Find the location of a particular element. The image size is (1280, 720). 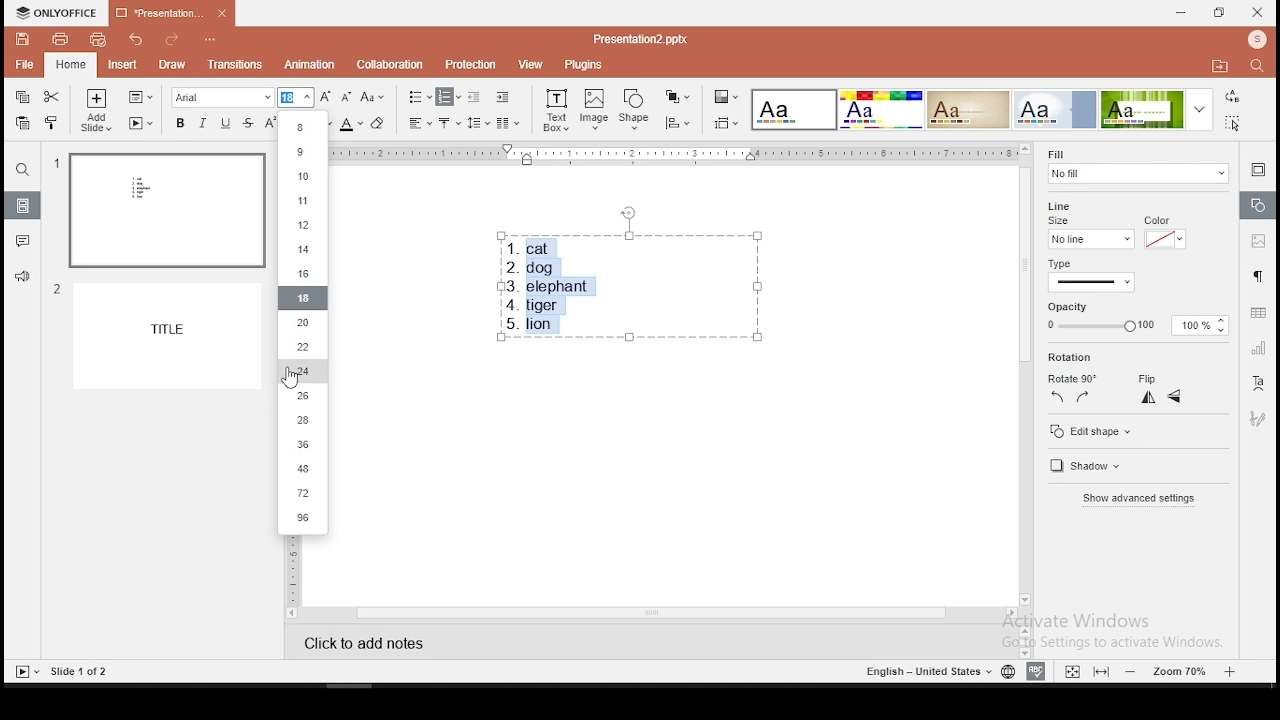

slide 2 is located at coordinates (155, 335).